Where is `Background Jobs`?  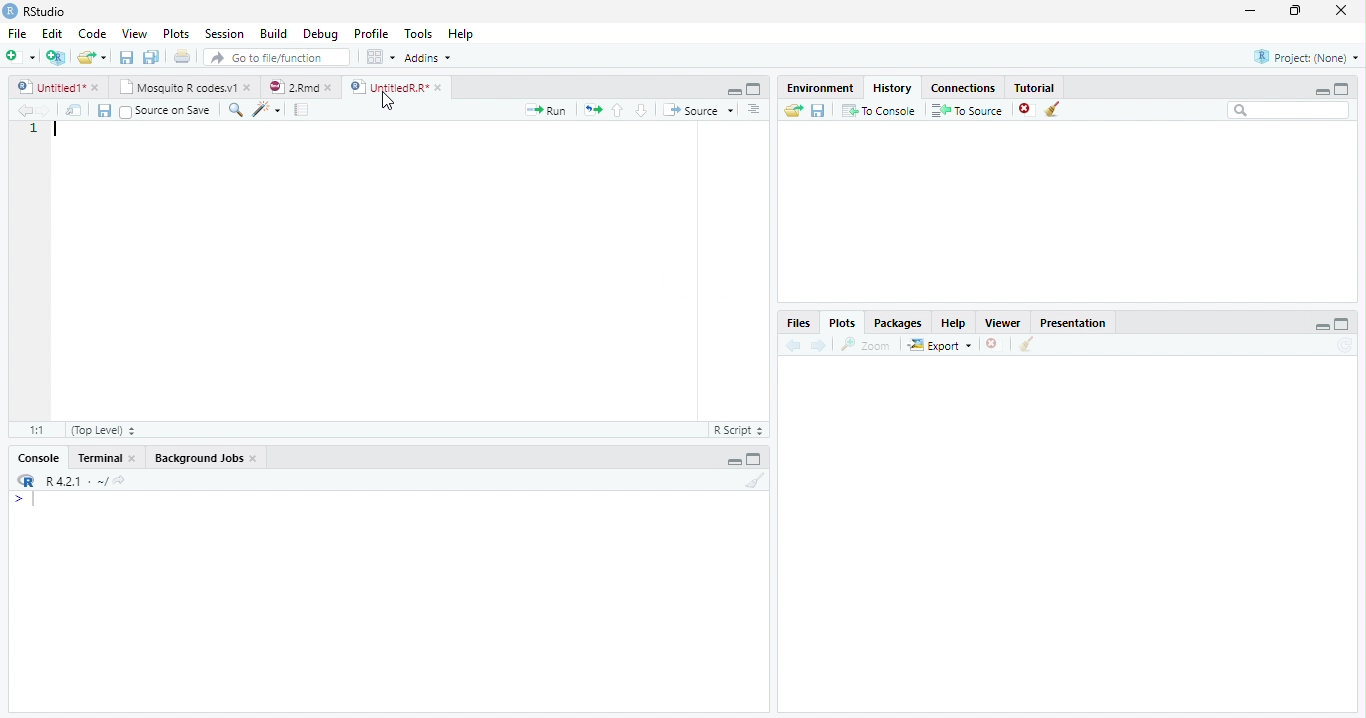
Background Jobs is located at coordinates (198, 457).